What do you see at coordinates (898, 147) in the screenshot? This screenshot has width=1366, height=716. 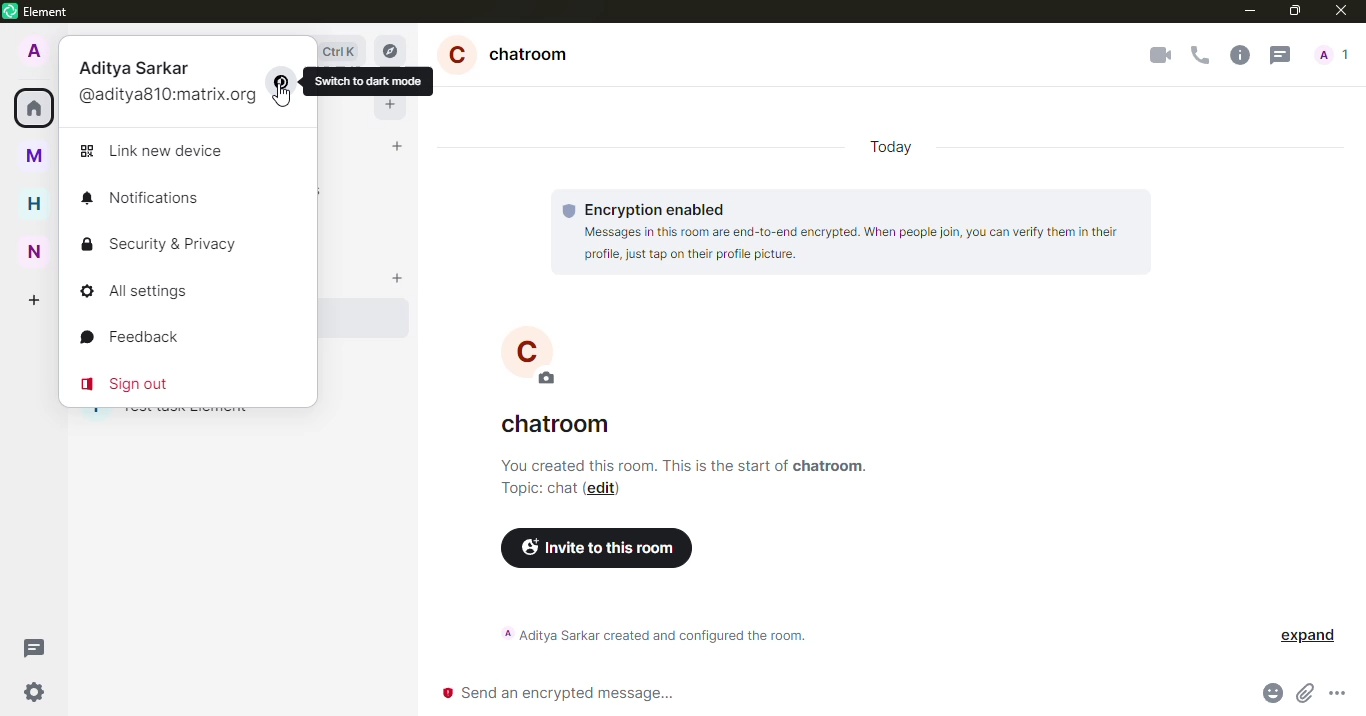 I see `today` at bounding box center [898, 147].